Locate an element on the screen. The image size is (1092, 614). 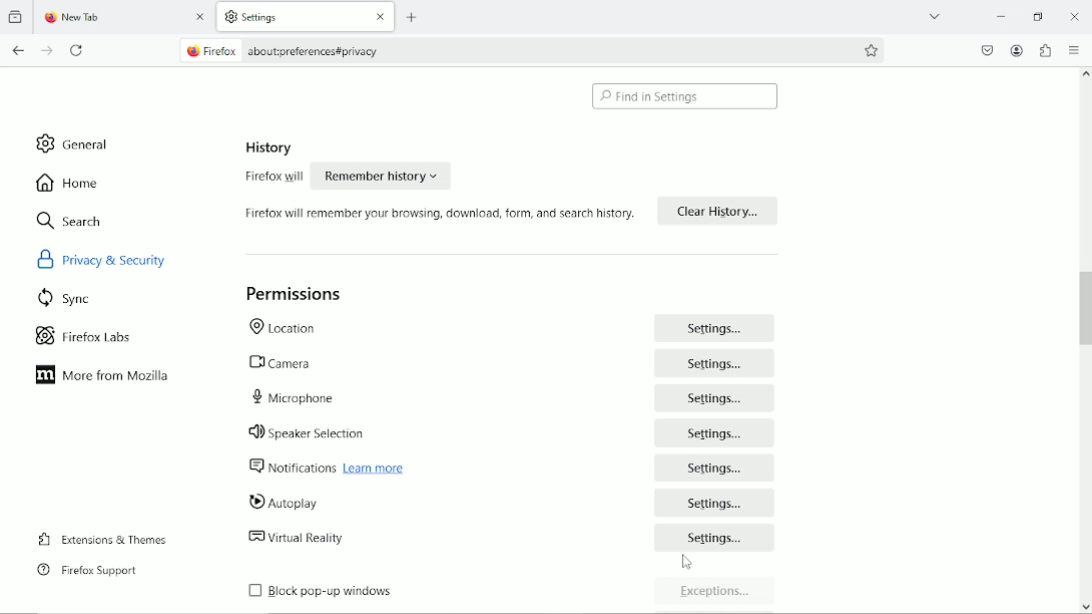
extensions is located at coordinates (1045, 50).